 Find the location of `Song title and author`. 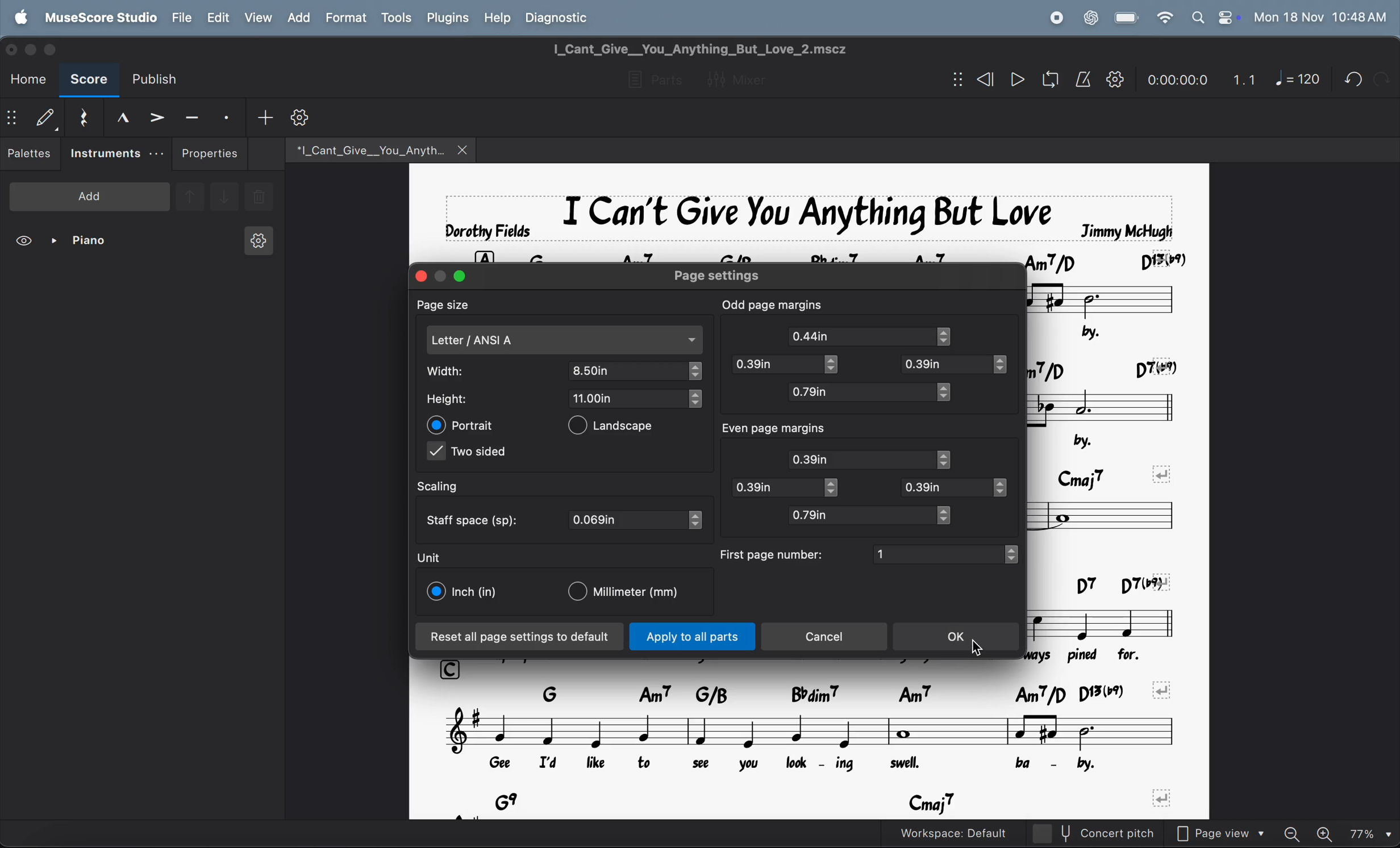

Song title and author is located at coordinates (805, 212).